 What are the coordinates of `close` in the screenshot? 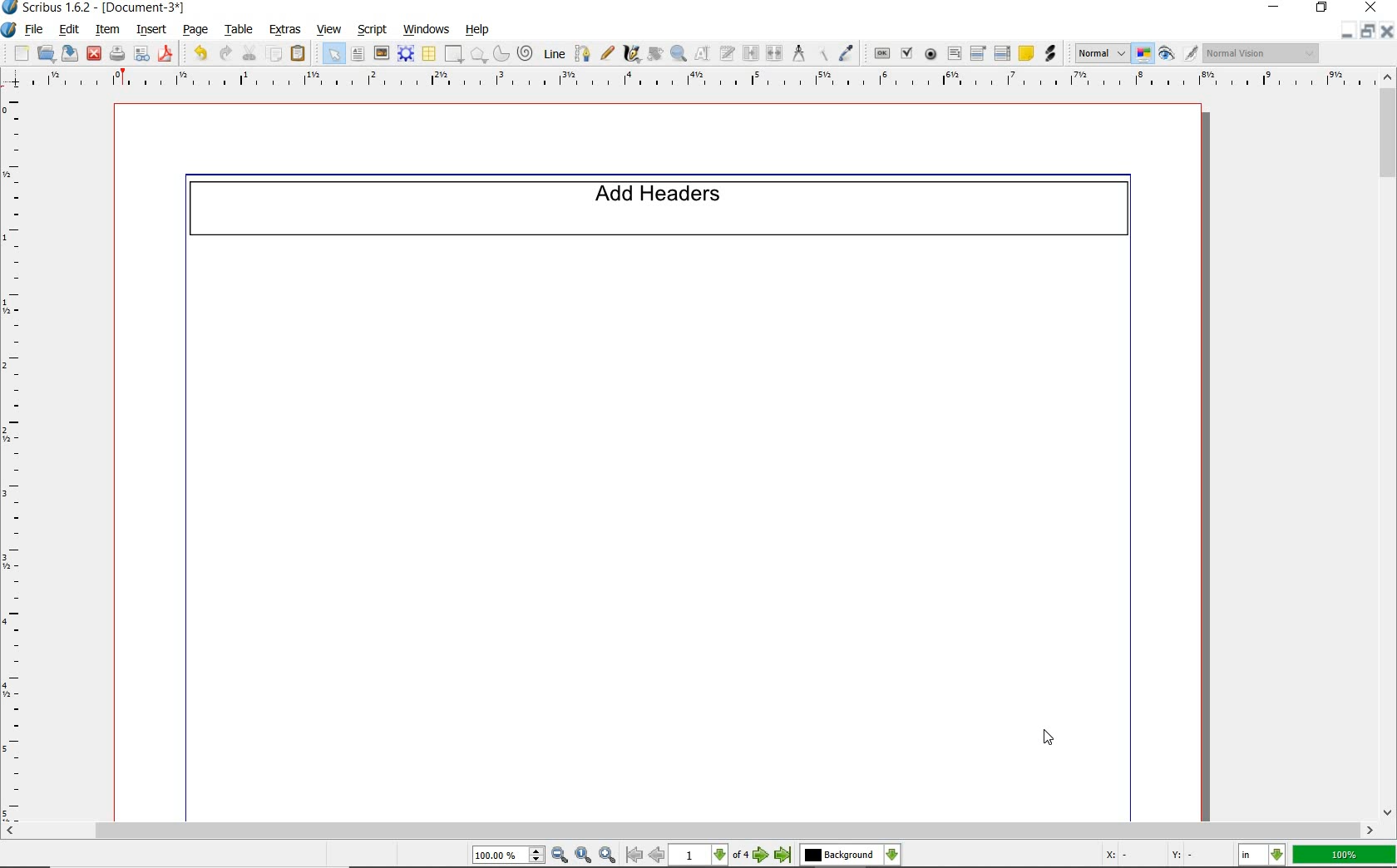 It's located at (93, 55).